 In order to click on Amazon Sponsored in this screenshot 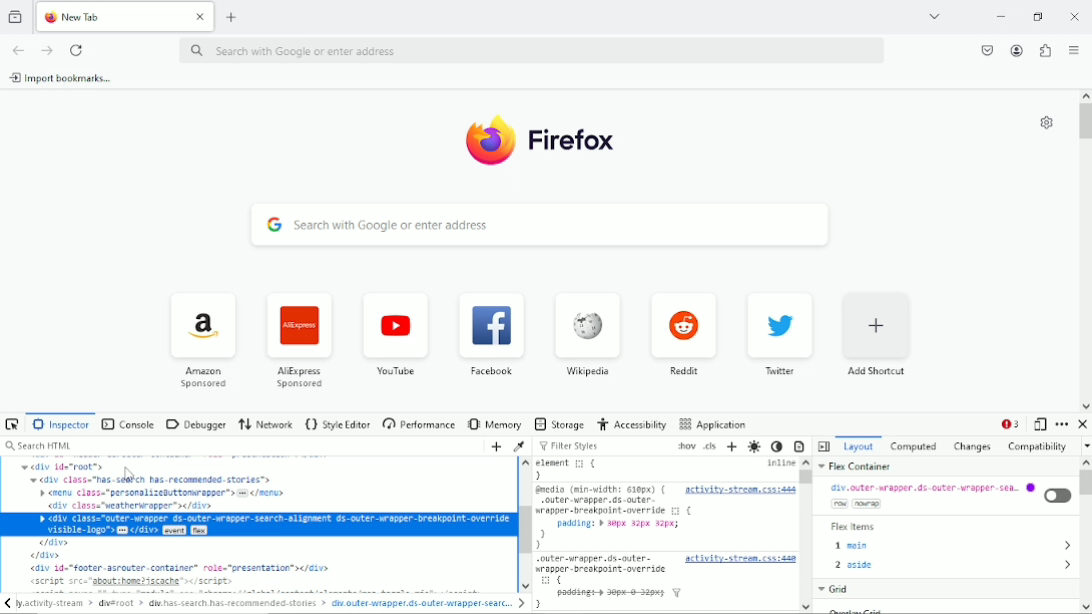, I will do `click(200, 339)`.